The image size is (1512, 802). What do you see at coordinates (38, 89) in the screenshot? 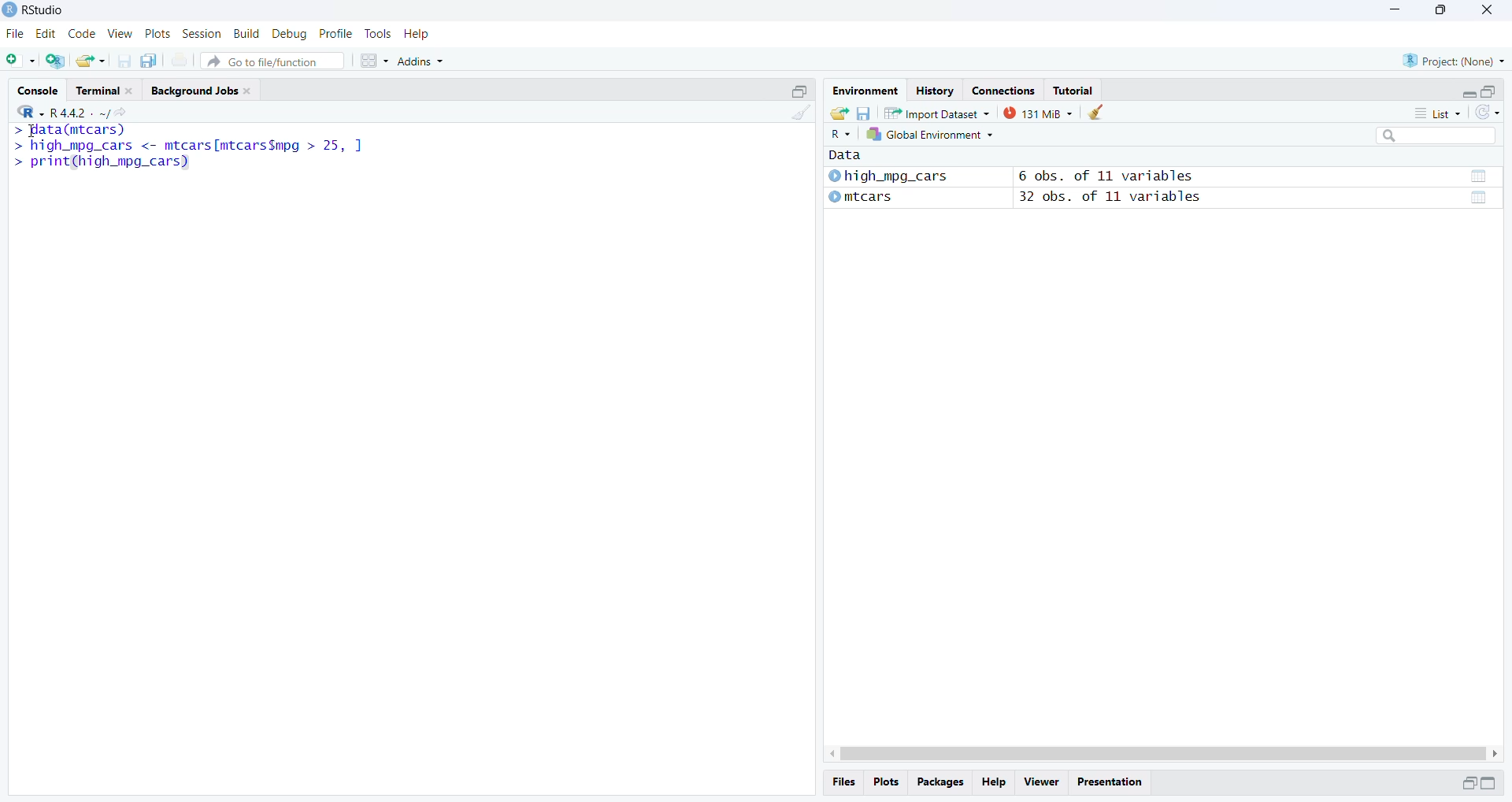
I see `Console` at bounding box center [38, 89].